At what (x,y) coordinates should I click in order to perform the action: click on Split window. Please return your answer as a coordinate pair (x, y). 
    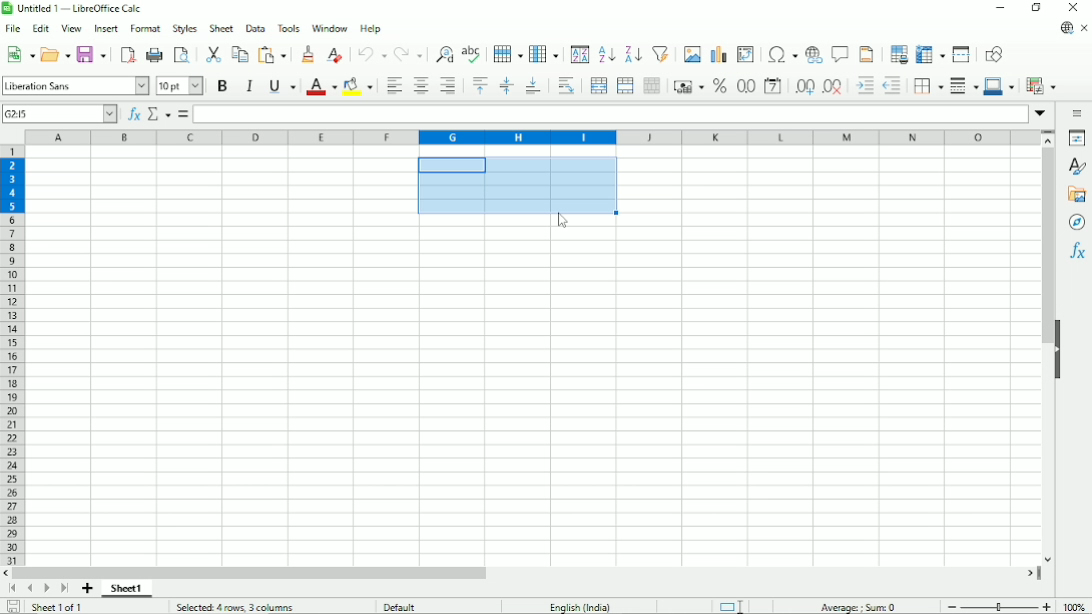
    Looking at the image, I should click on (963, 54).